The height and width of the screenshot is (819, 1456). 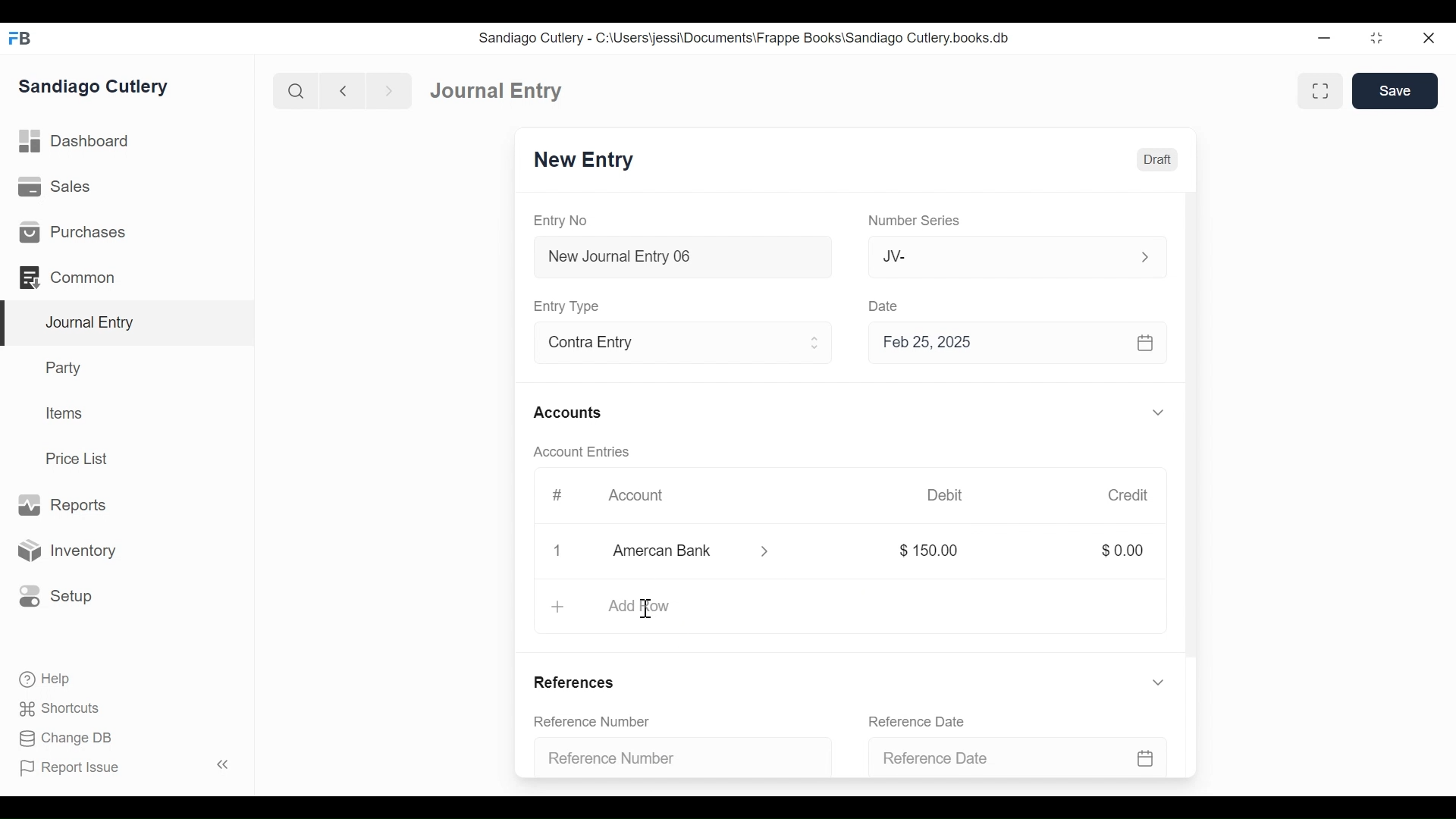 What do you see at coordinates (96, 87) in the screenshot?
I see `Sandiago Cutlery` at bounding box center [96, 87].